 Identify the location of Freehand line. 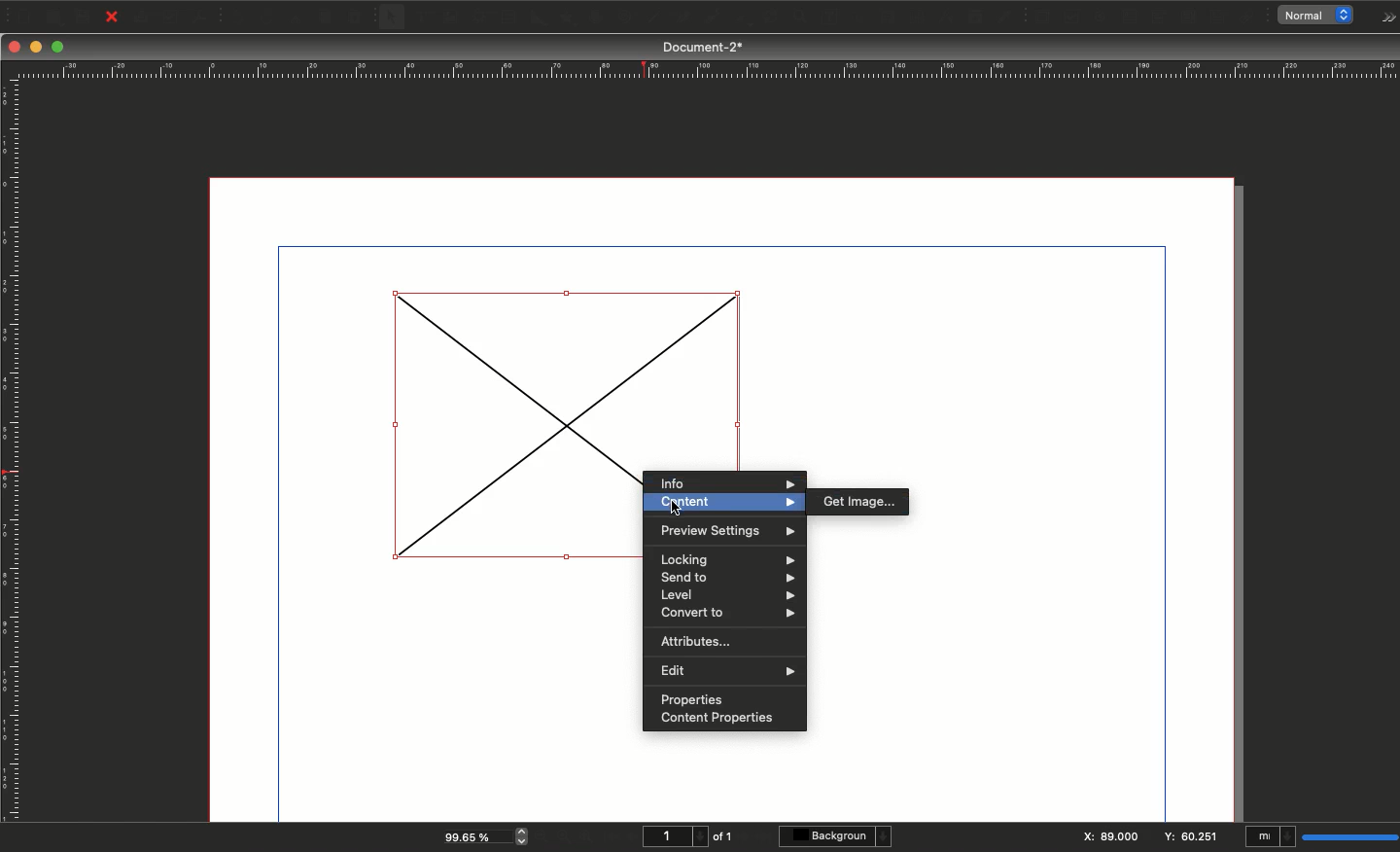
(708, 18).